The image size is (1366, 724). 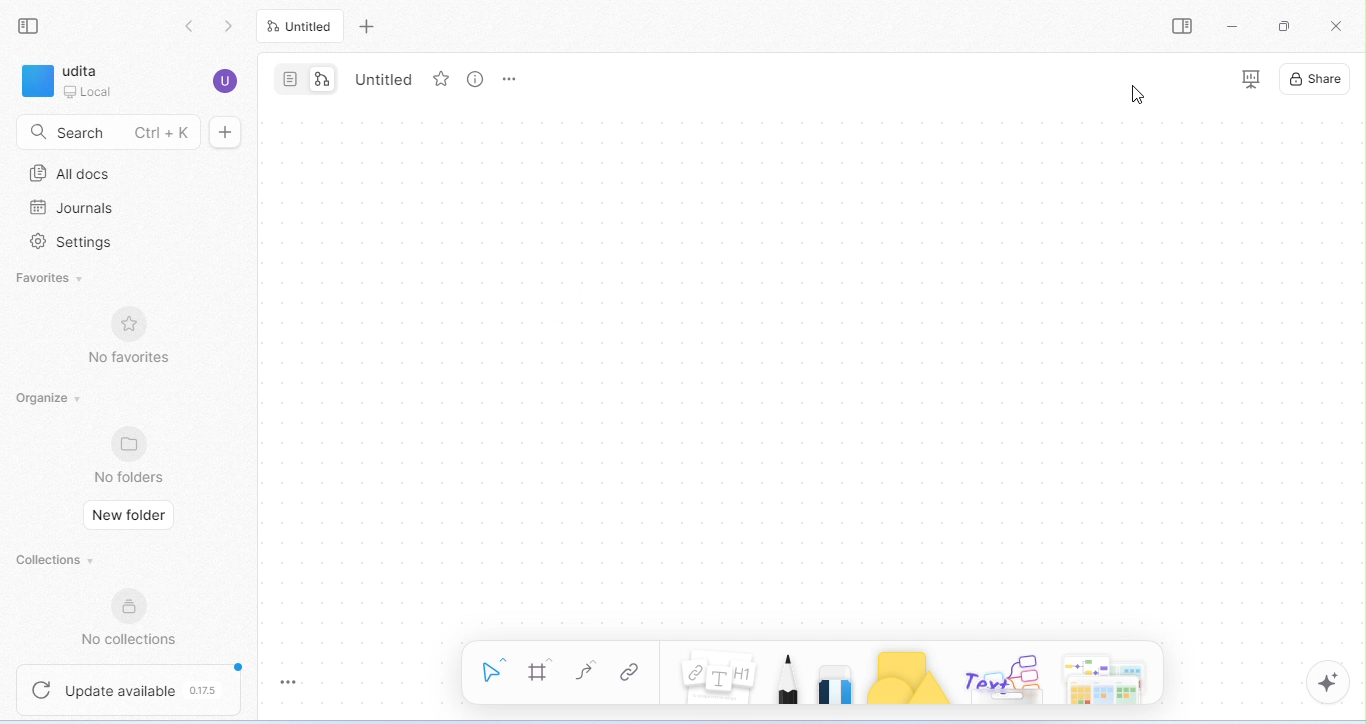 I want to click on page mode, so click(x=288, y=79).